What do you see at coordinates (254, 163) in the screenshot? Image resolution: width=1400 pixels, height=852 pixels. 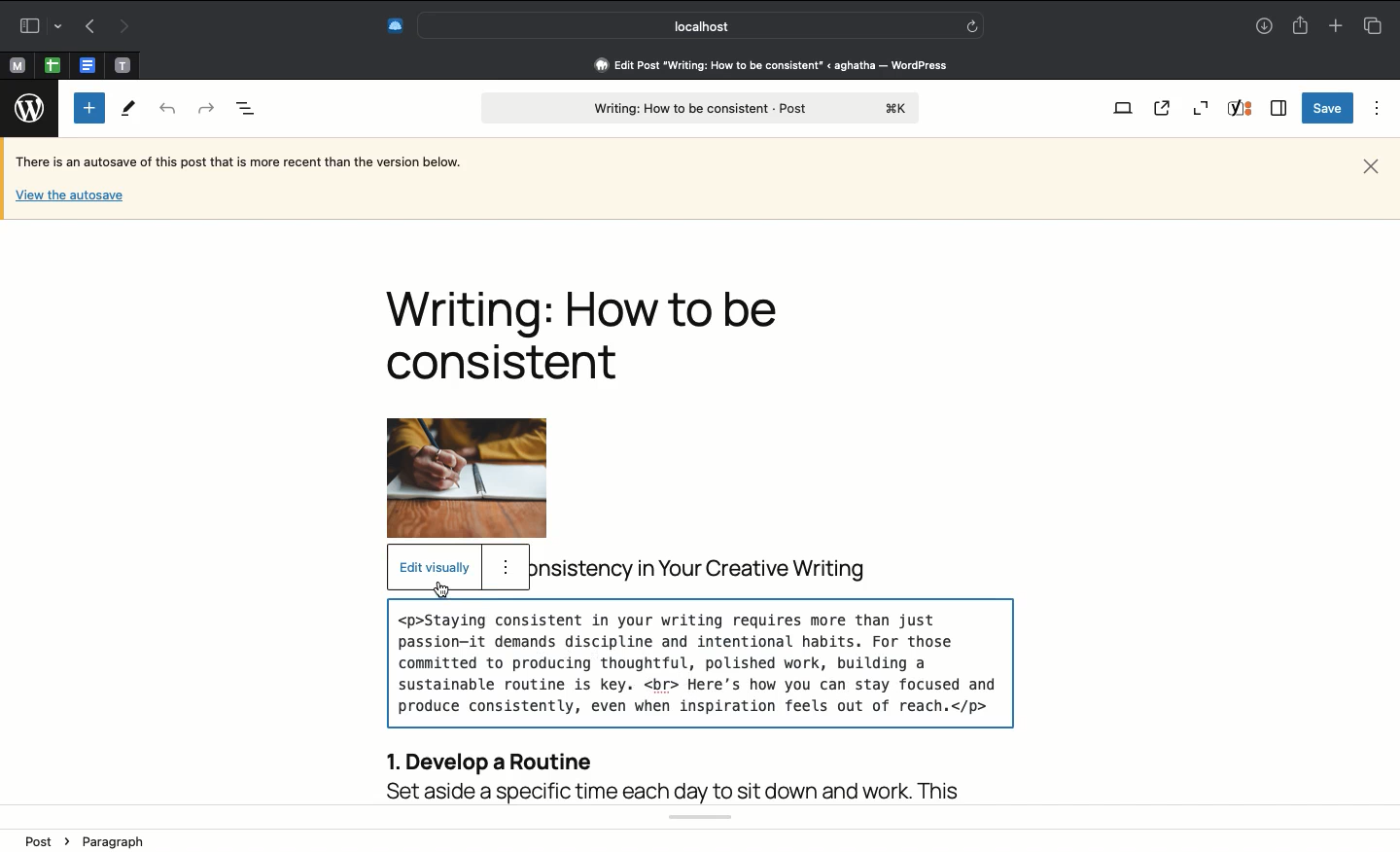 I see `Autosave` at bounding box center [254, 163].